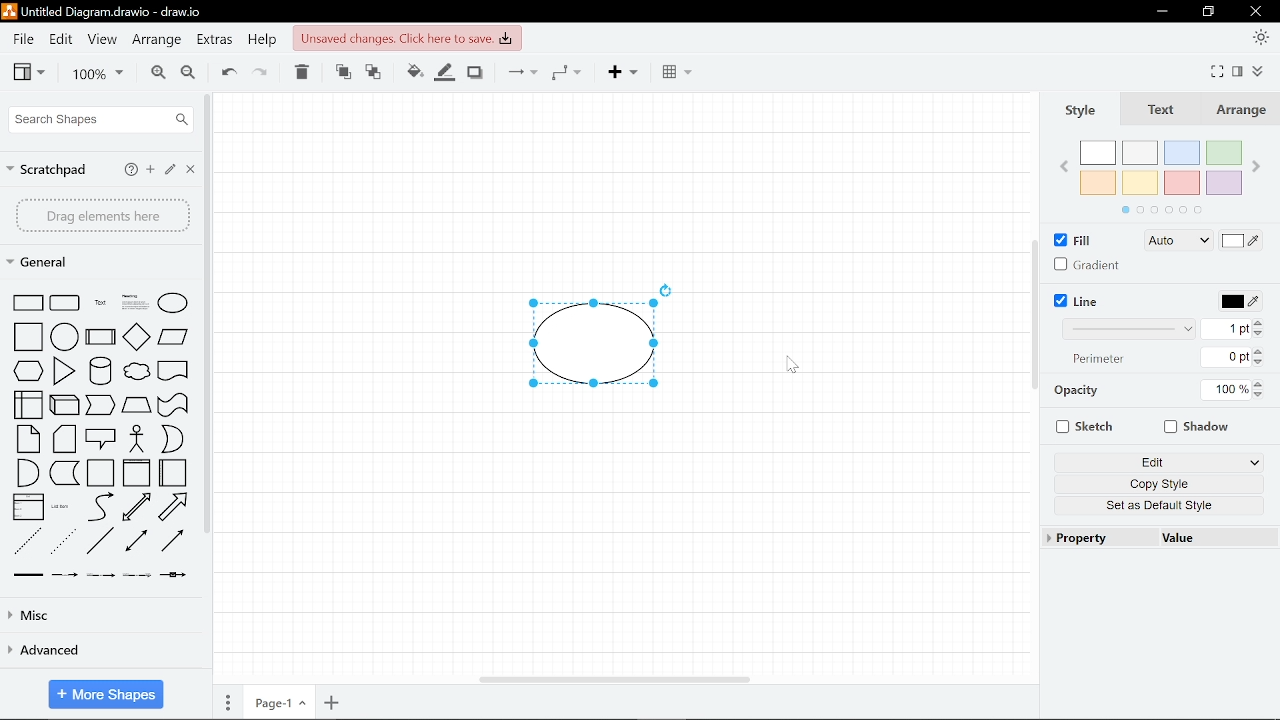 This screenshot has height=720, width=1280. What do you see at coordinates (131, 170) in the screenshot?
I see `help` at bounding box center [131, 170].